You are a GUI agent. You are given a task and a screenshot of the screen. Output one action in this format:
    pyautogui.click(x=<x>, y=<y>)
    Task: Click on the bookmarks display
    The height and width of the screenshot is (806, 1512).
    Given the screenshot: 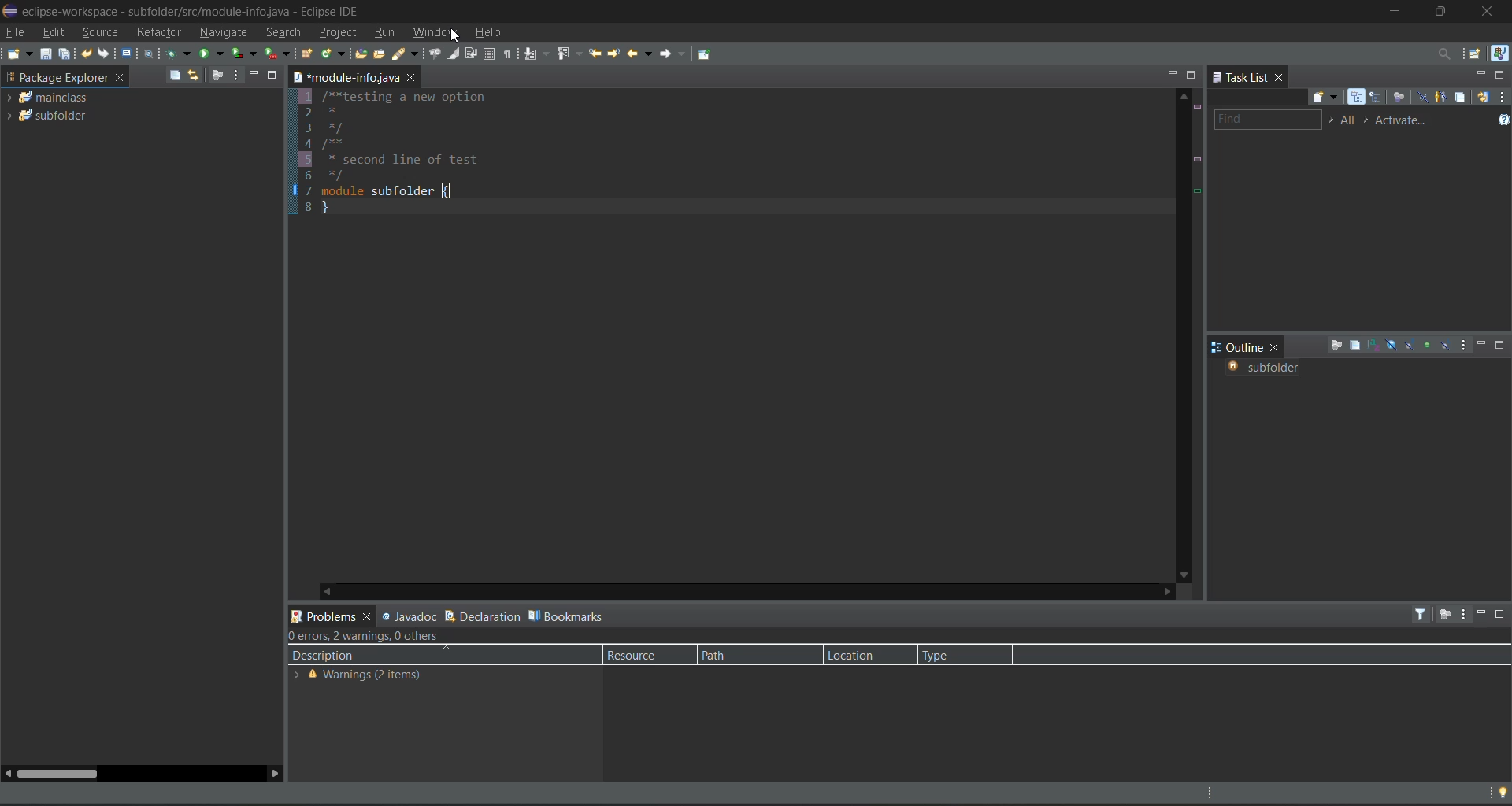 What is the action you would take?
    pyautogui.click(x=278, y=150)
    